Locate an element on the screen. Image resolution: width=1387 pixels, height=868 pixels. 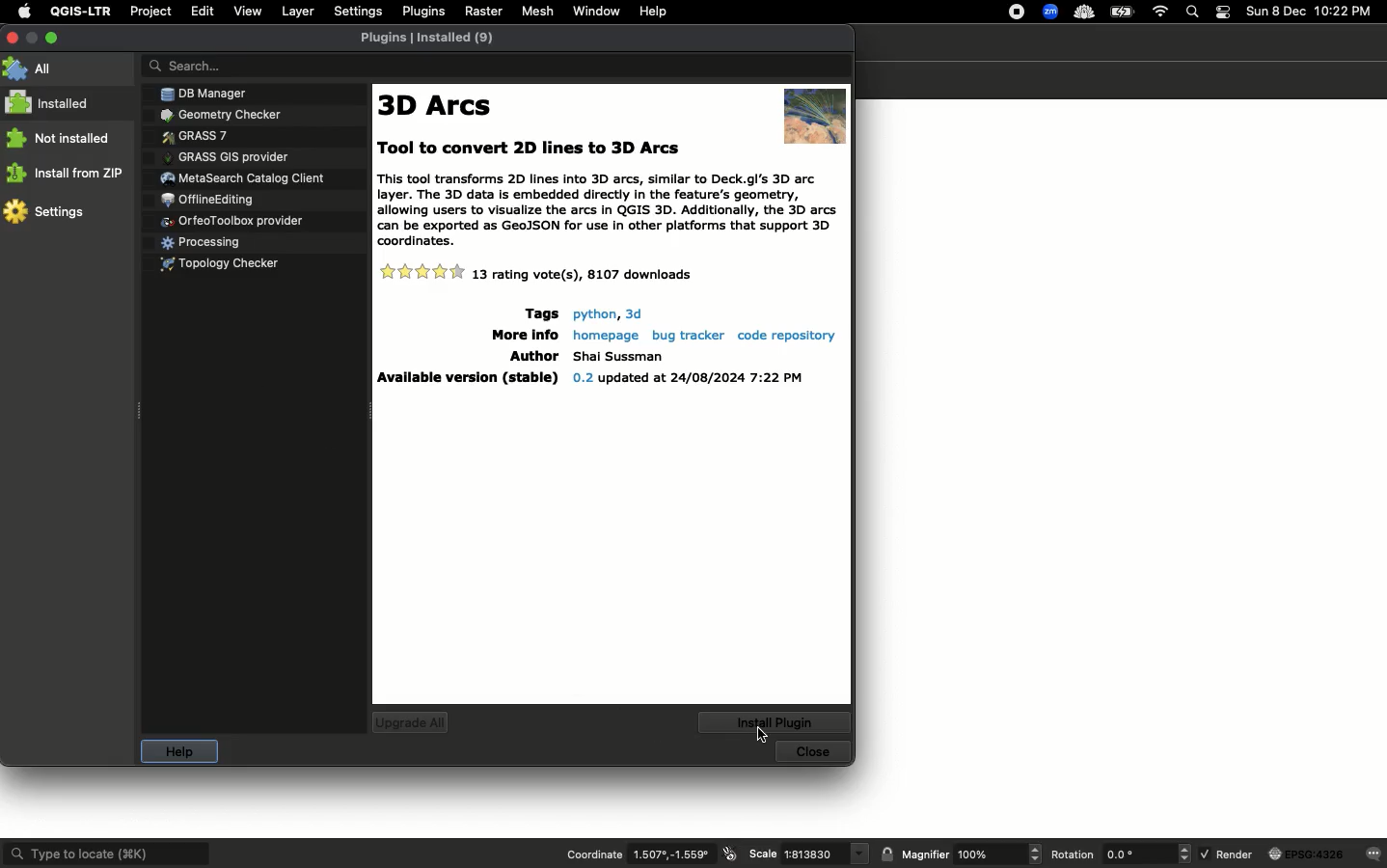
Settings is located at coordinates (46, 210).